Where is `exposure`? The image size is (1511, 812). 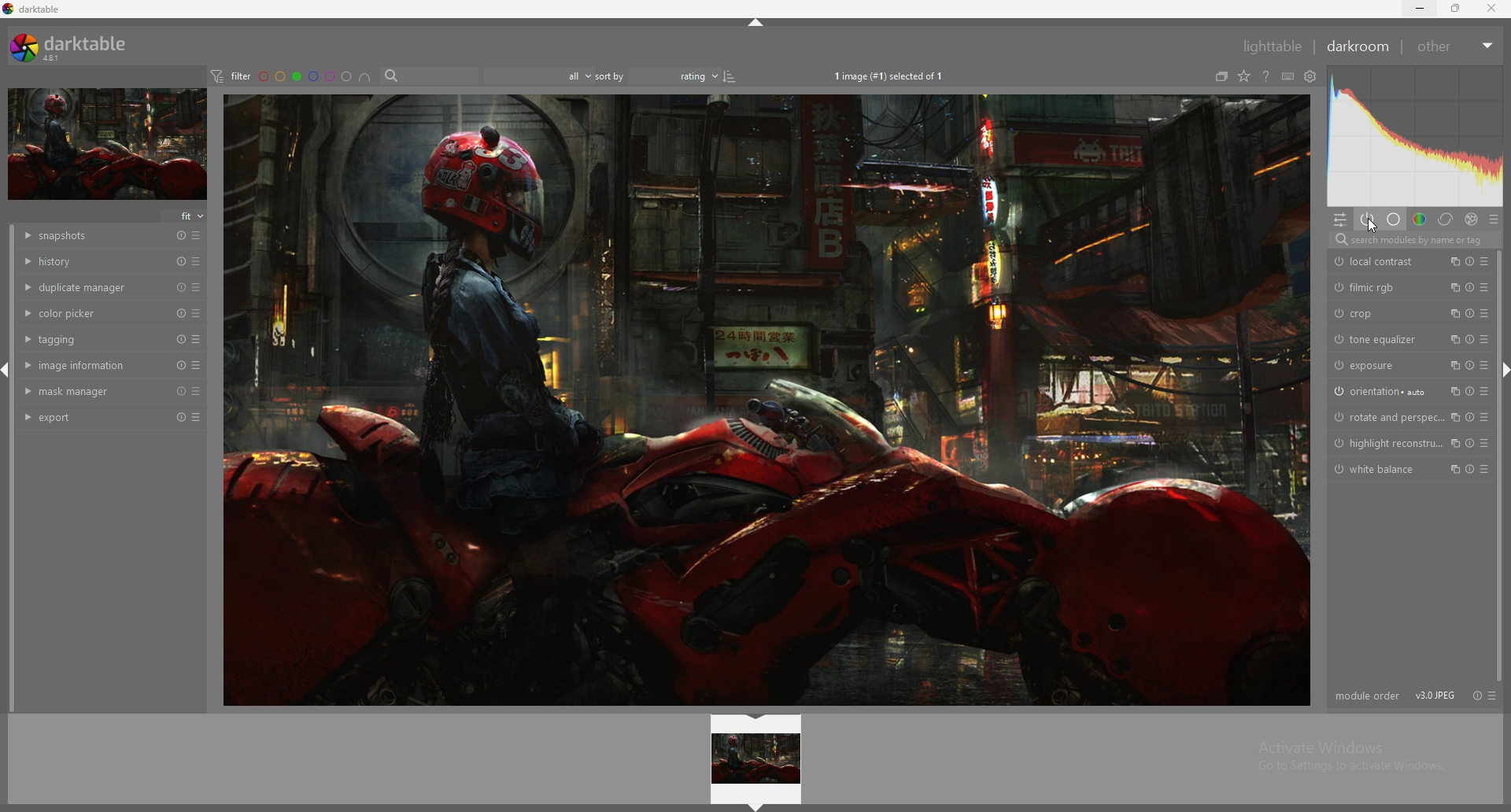
exposure is located at coordinates (1381, 366).